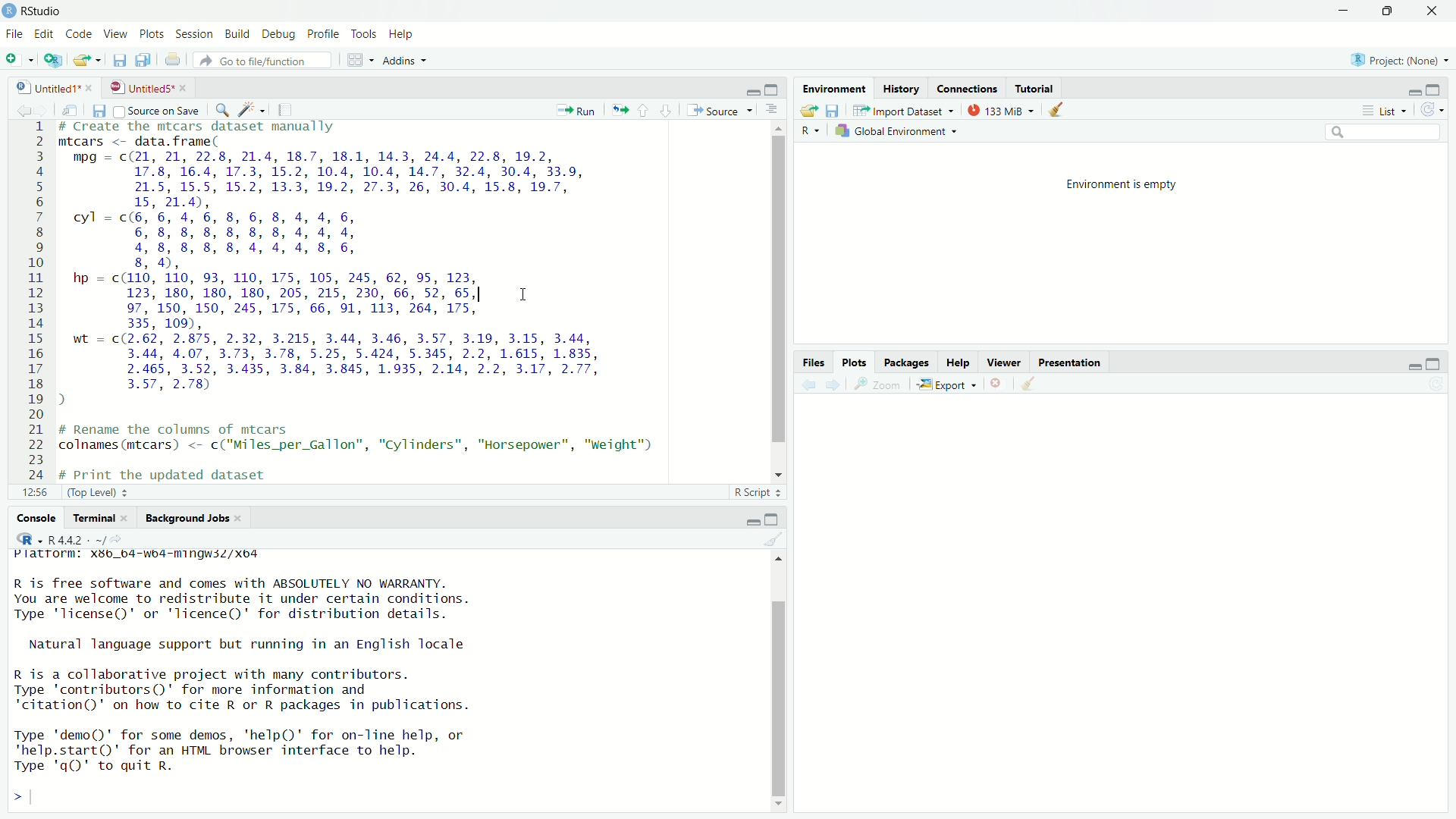 The width and height of the screenshot is (1456, 819). What do you see at coordinates (118, 60) in the screenshot?
I see `save` at bounding box center [118, 60].